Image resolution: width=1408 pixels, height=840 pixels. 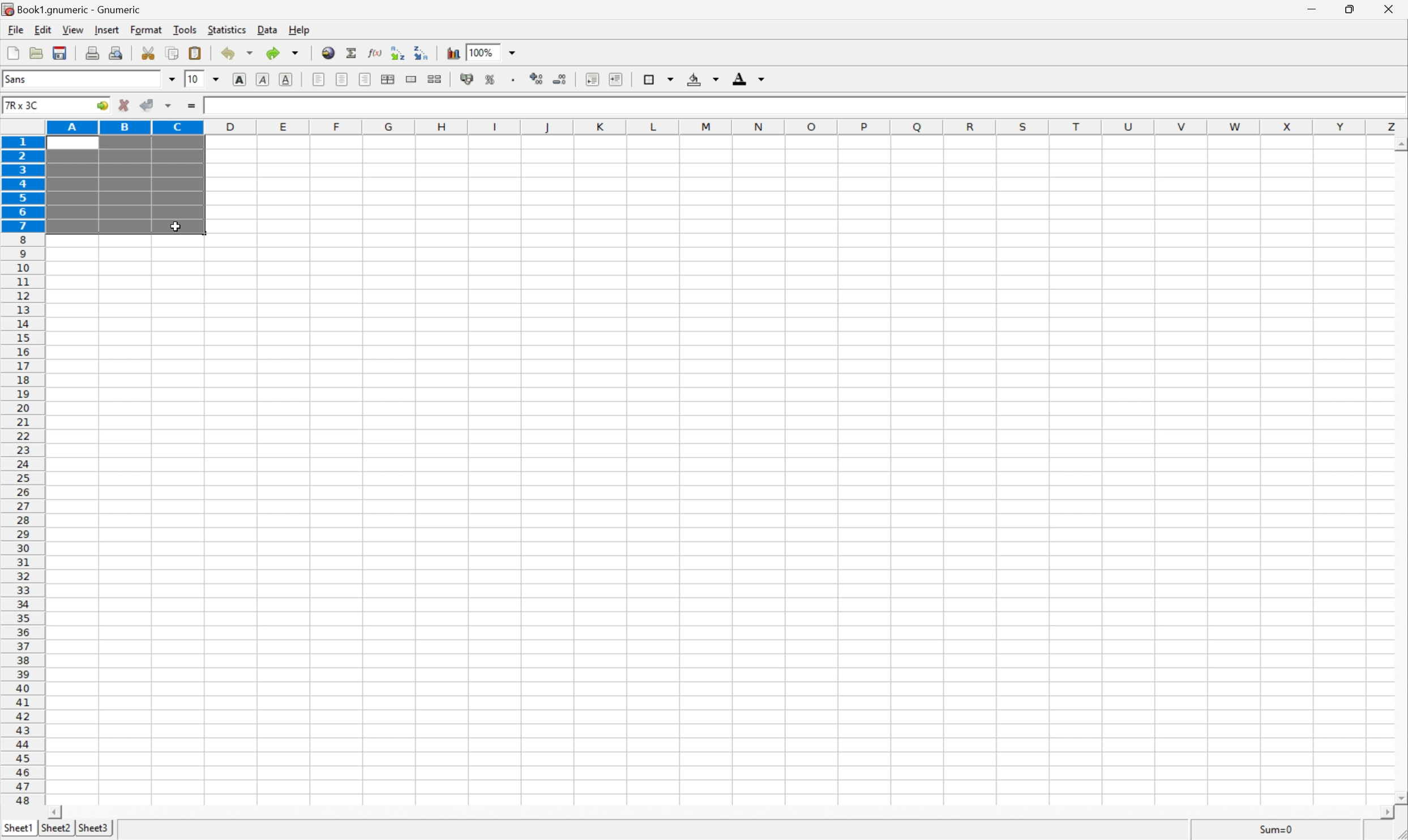 What do you see at coordinates (411, 77) in the screenshot?
I see `merge a range of cells` at bounding box center [411, 77].